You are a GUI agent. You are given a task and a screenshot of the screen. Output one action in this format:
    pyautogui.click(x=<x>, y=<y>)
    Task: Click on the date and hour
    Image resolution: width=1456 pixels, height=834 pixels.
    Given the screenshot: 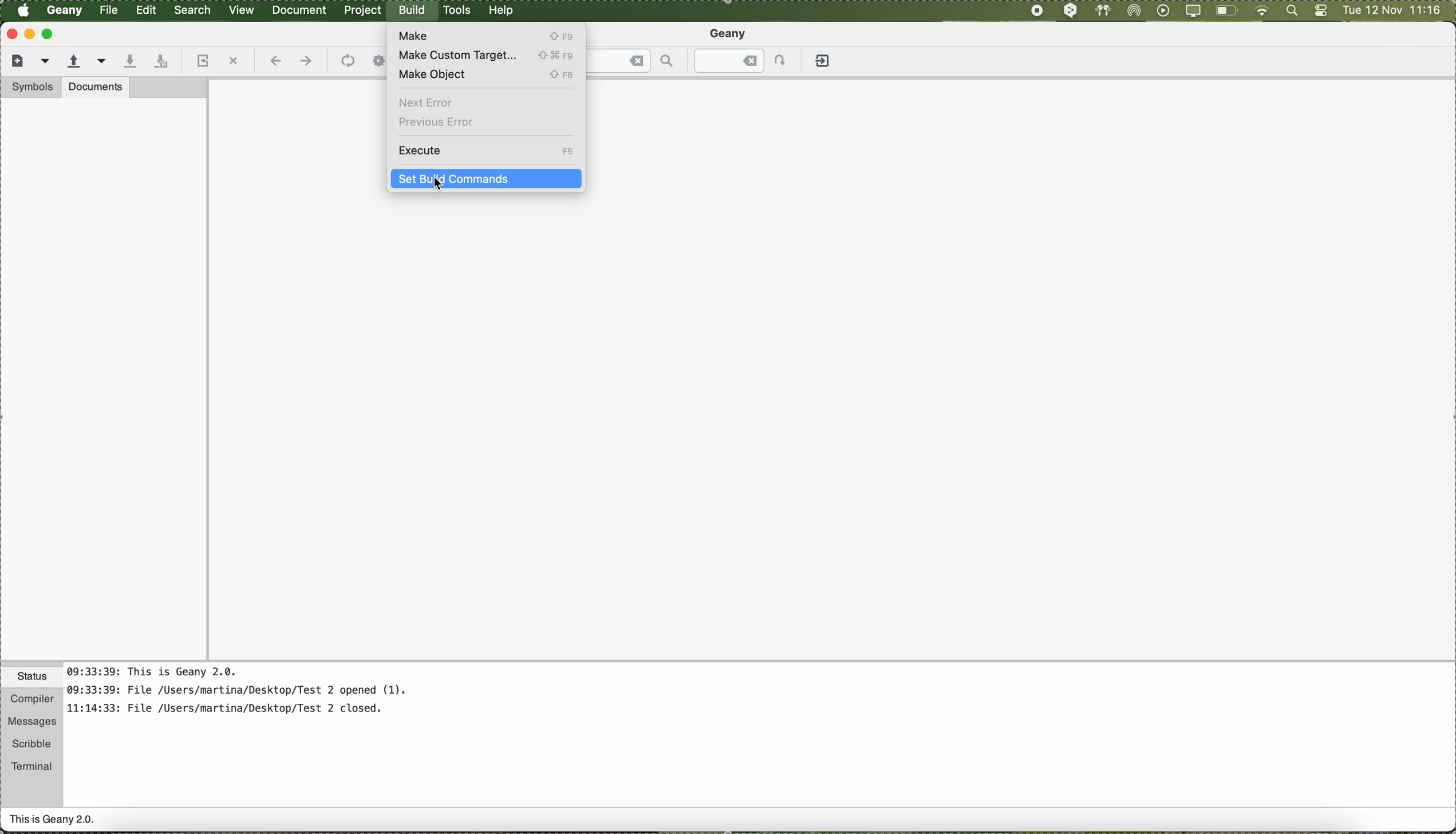 What is the action you would take?
    pyautogui.click(x=1392, y=11)
    